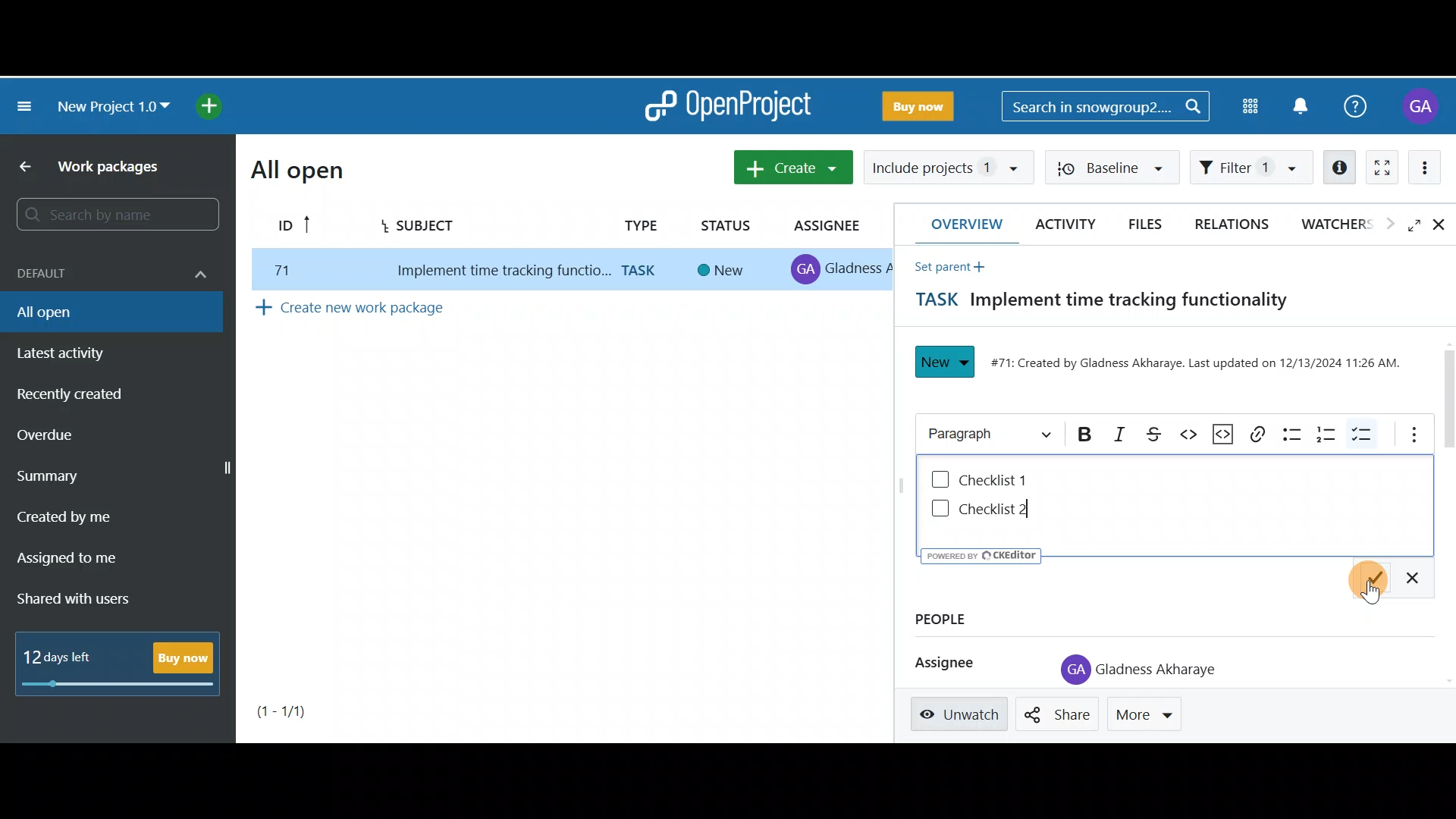  What do you see at coordinates (1337, 165) in the screenshot?
I see `Open details view` at bounding box center [1337, 165].